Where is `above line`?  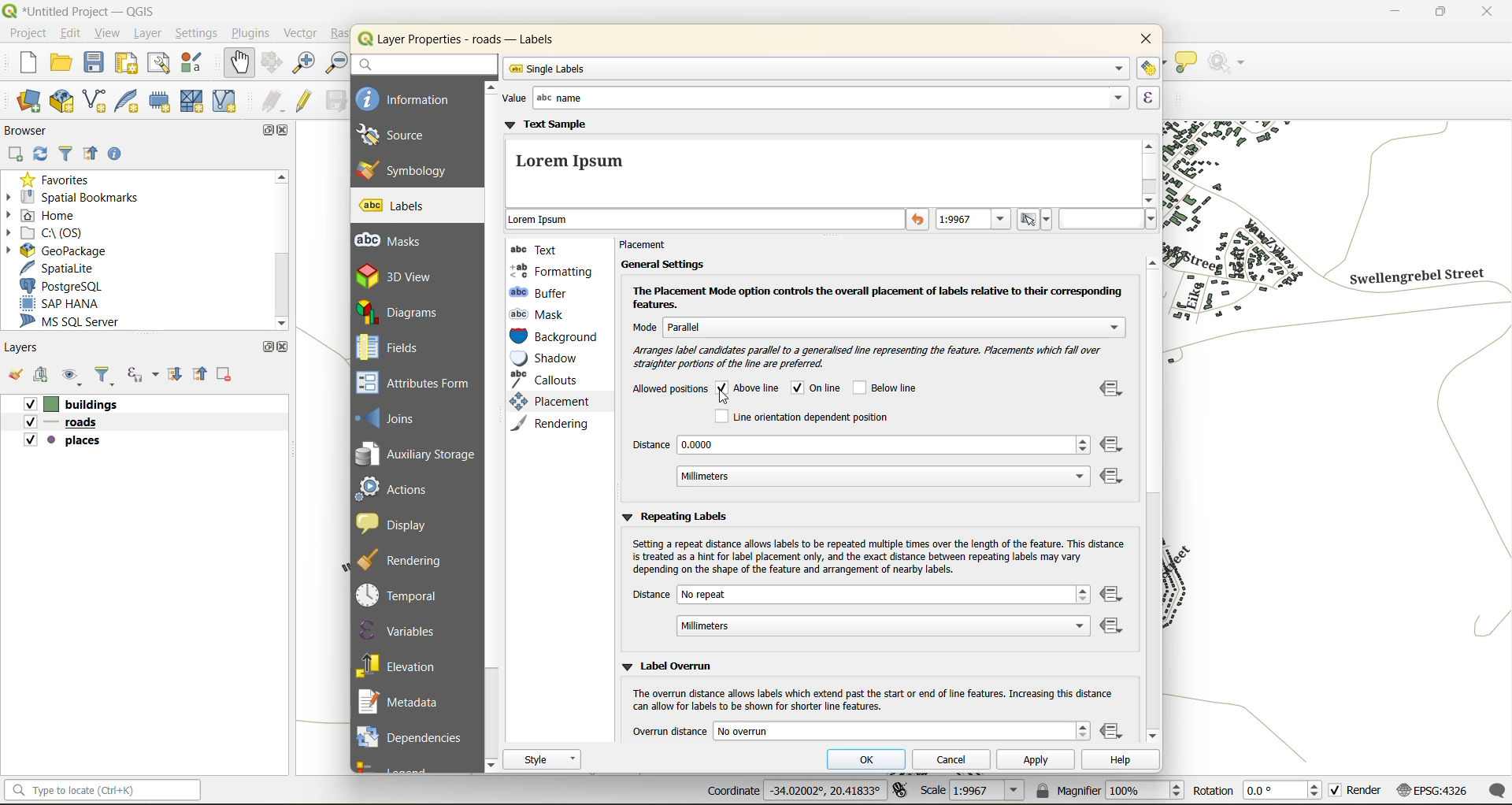
above line is located at coordinates (749, 387).